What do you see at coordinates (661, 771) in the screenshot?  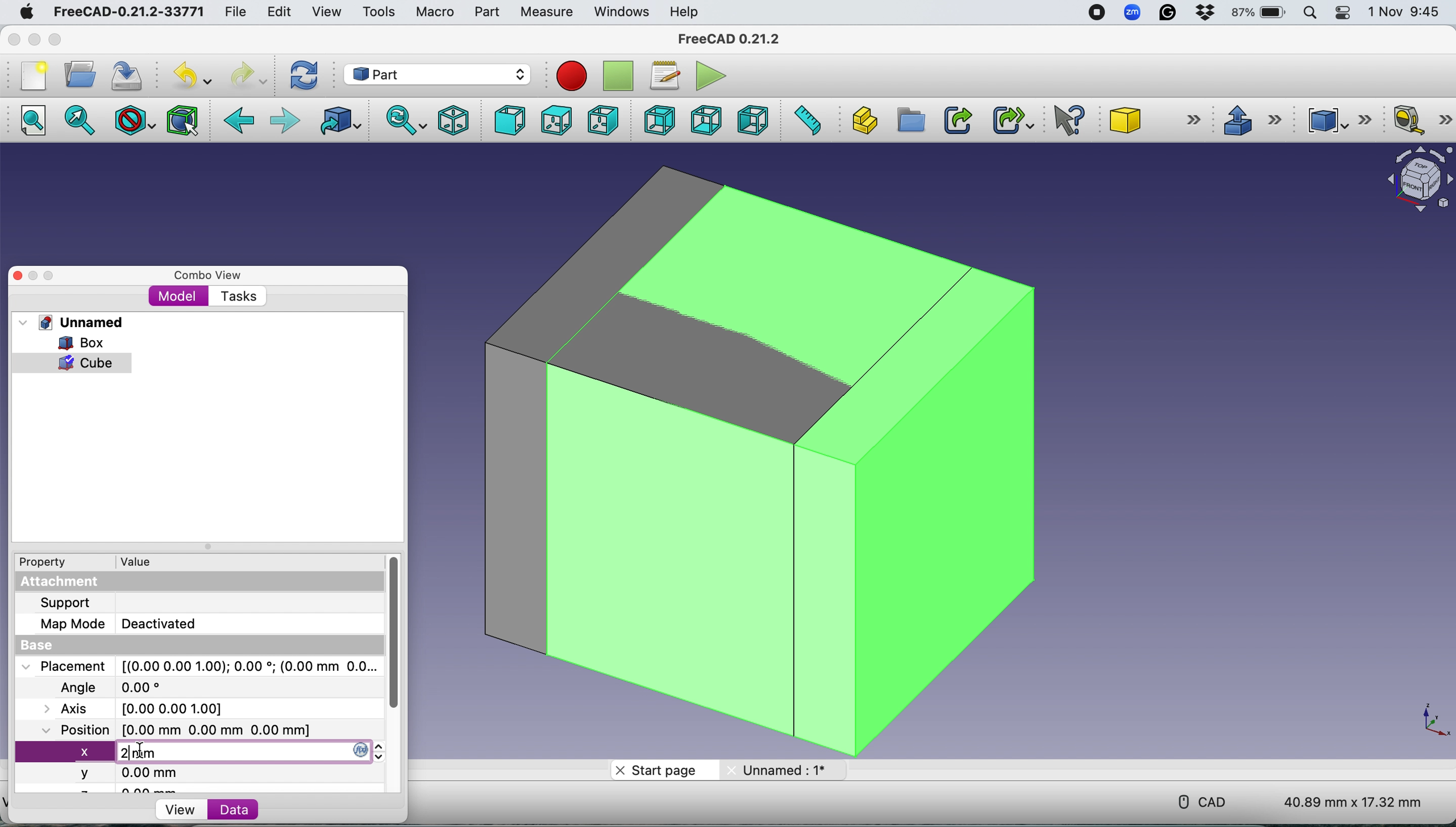 I see `Start page` at bounding box center [661, 771].